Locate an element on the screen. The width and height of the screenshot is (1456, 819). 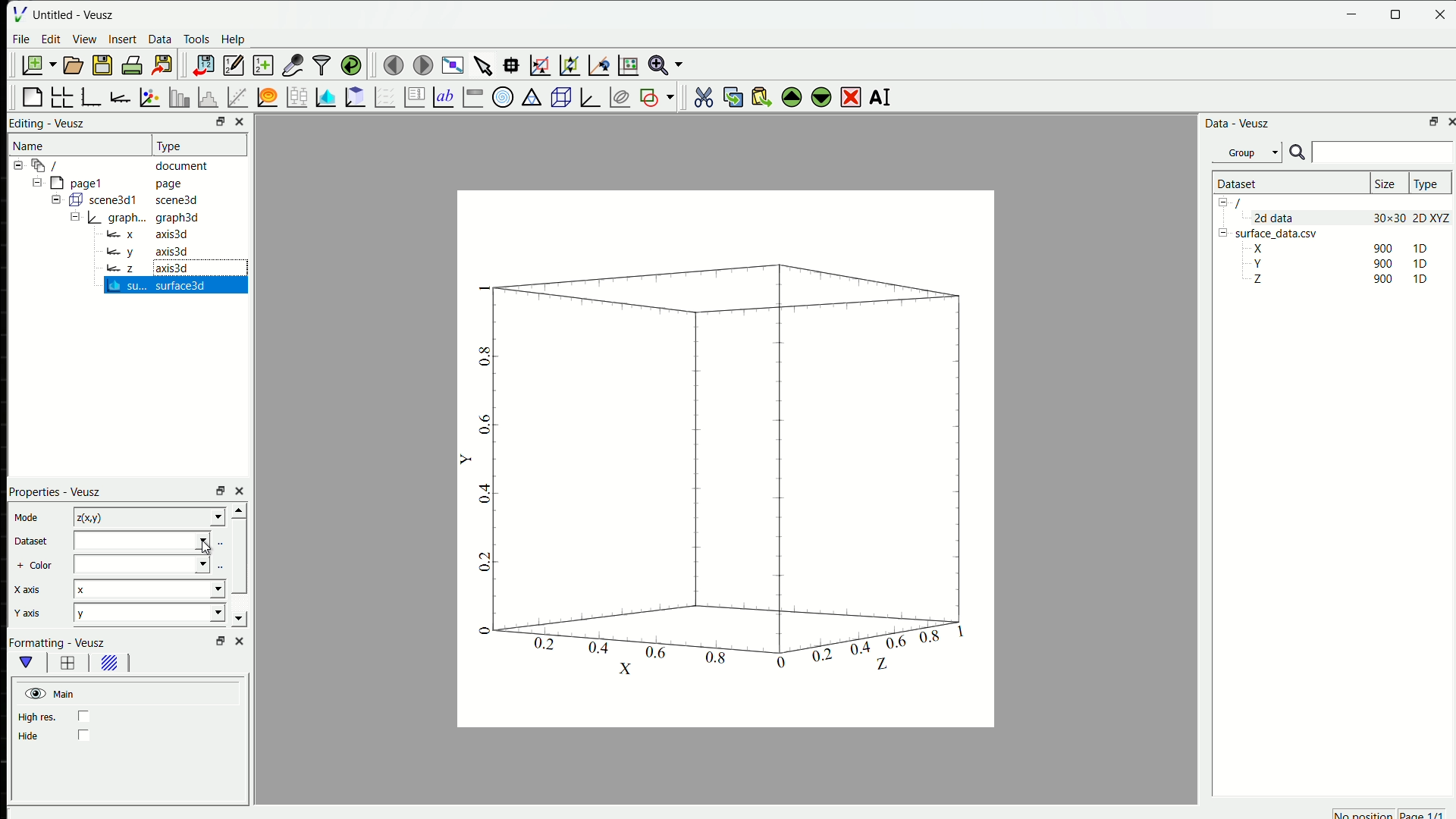
edit and enter new datasets is located at coordinates (234, 64).